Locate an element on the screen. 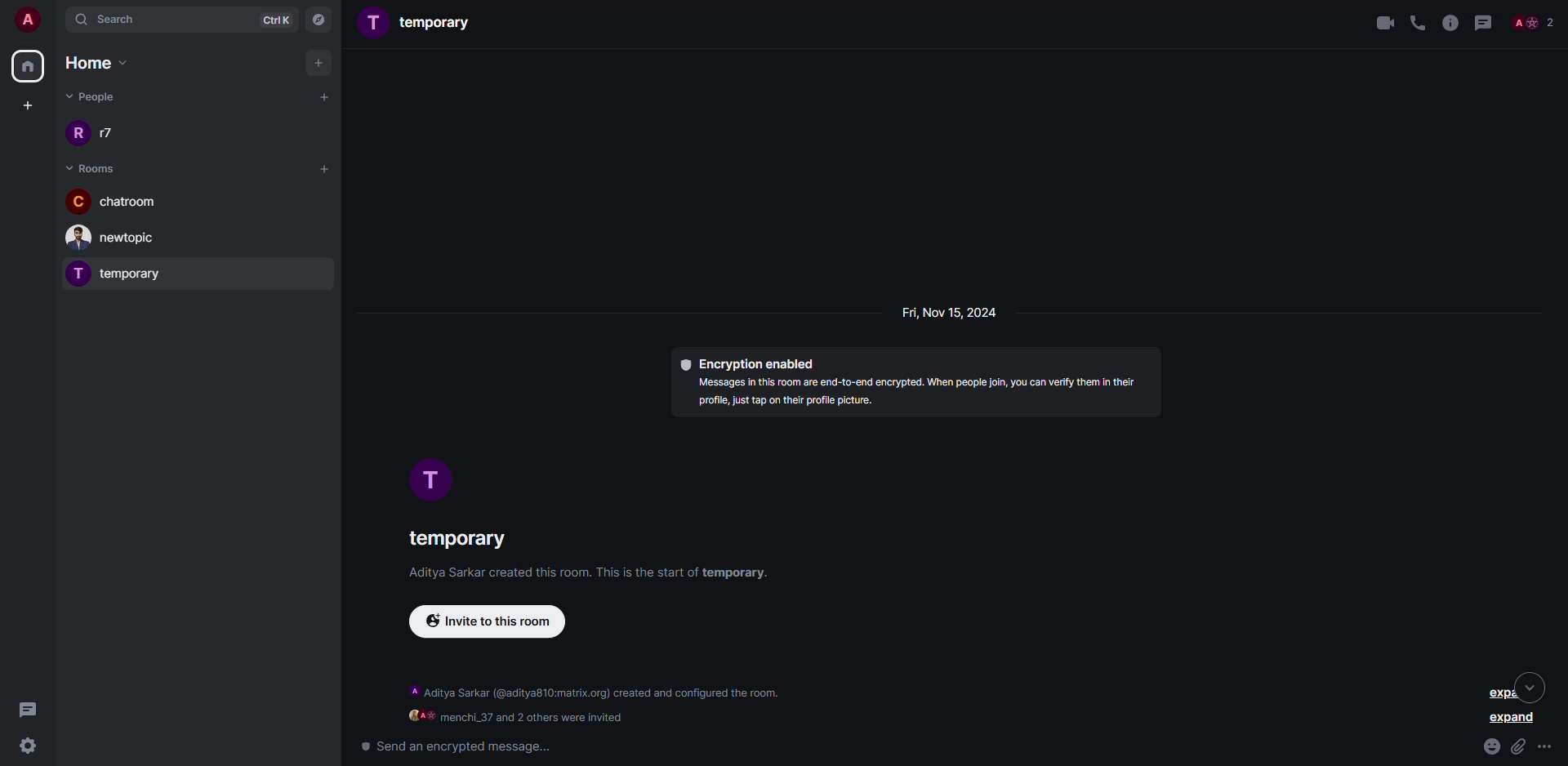  expand is located at coordinates (1513, 720).